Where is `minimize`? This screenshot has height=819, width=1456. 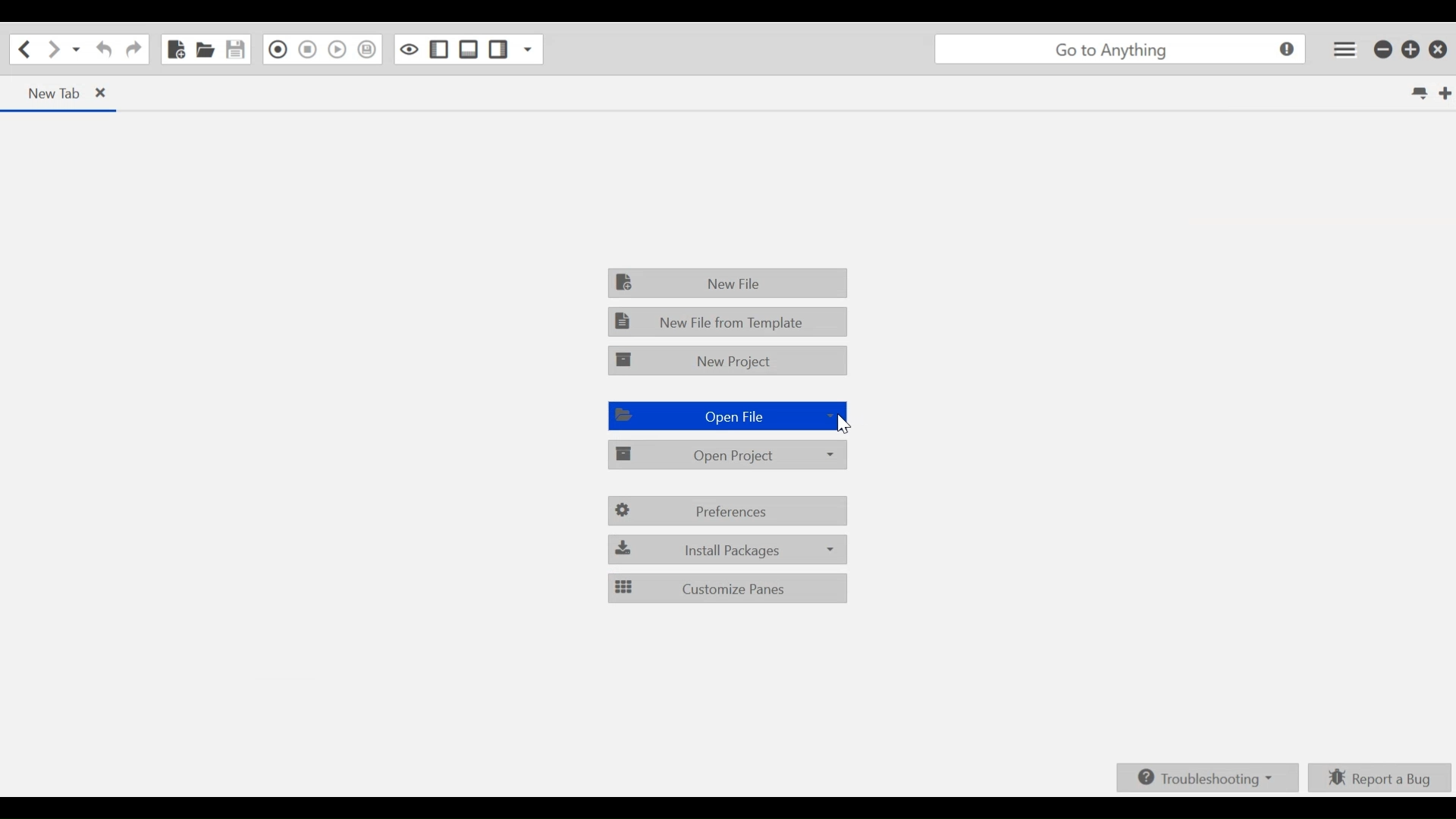
minimize is located at coordinates (1382, 50).